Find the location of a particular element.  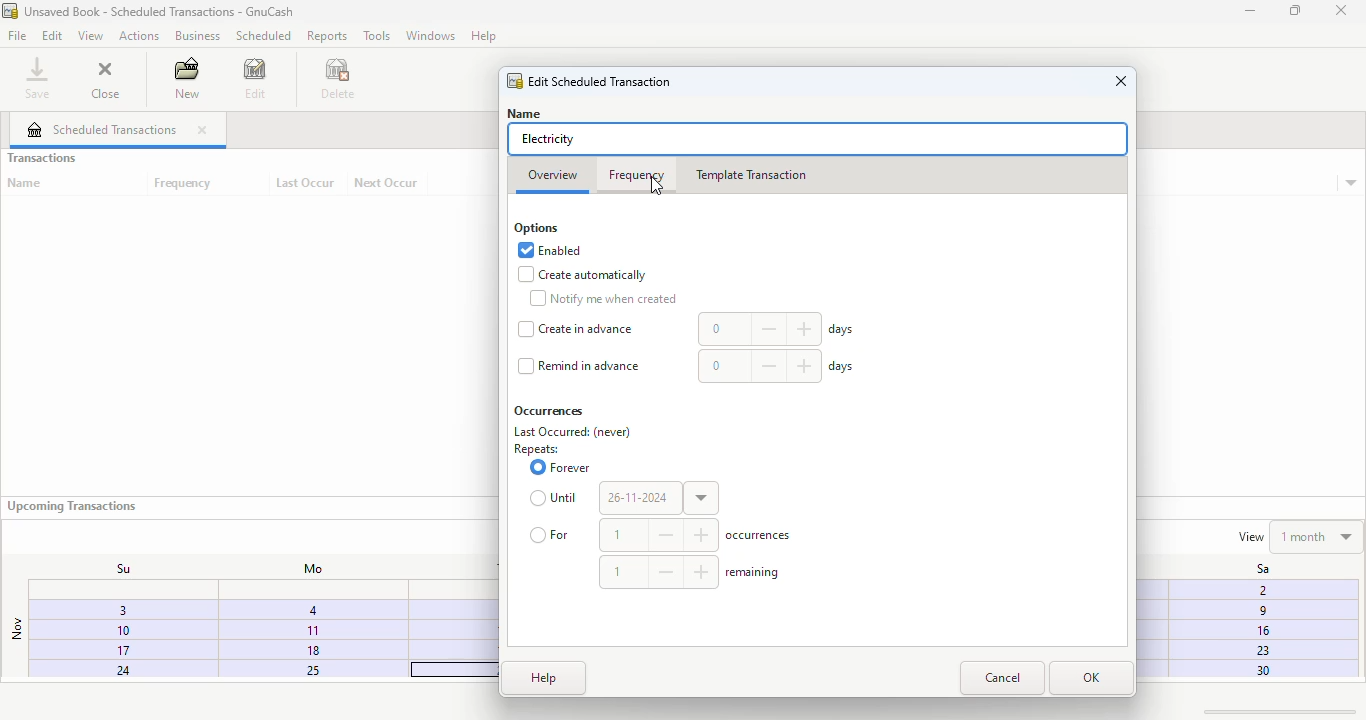

OK is located at coordinates (1091, 678).